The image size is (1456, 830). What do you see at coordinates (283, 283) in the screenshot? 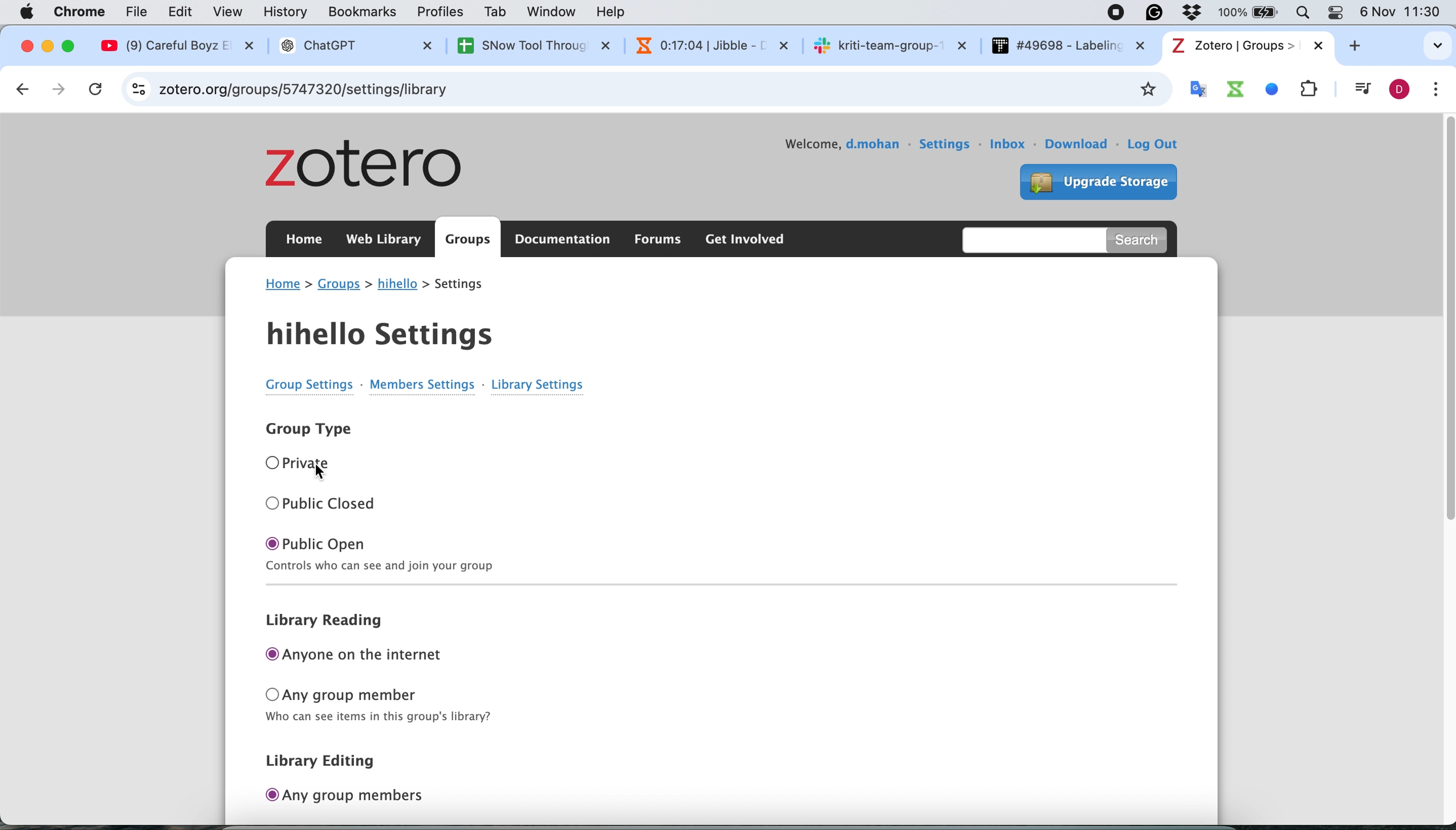
I see `home` at bounding box center [283, 283].